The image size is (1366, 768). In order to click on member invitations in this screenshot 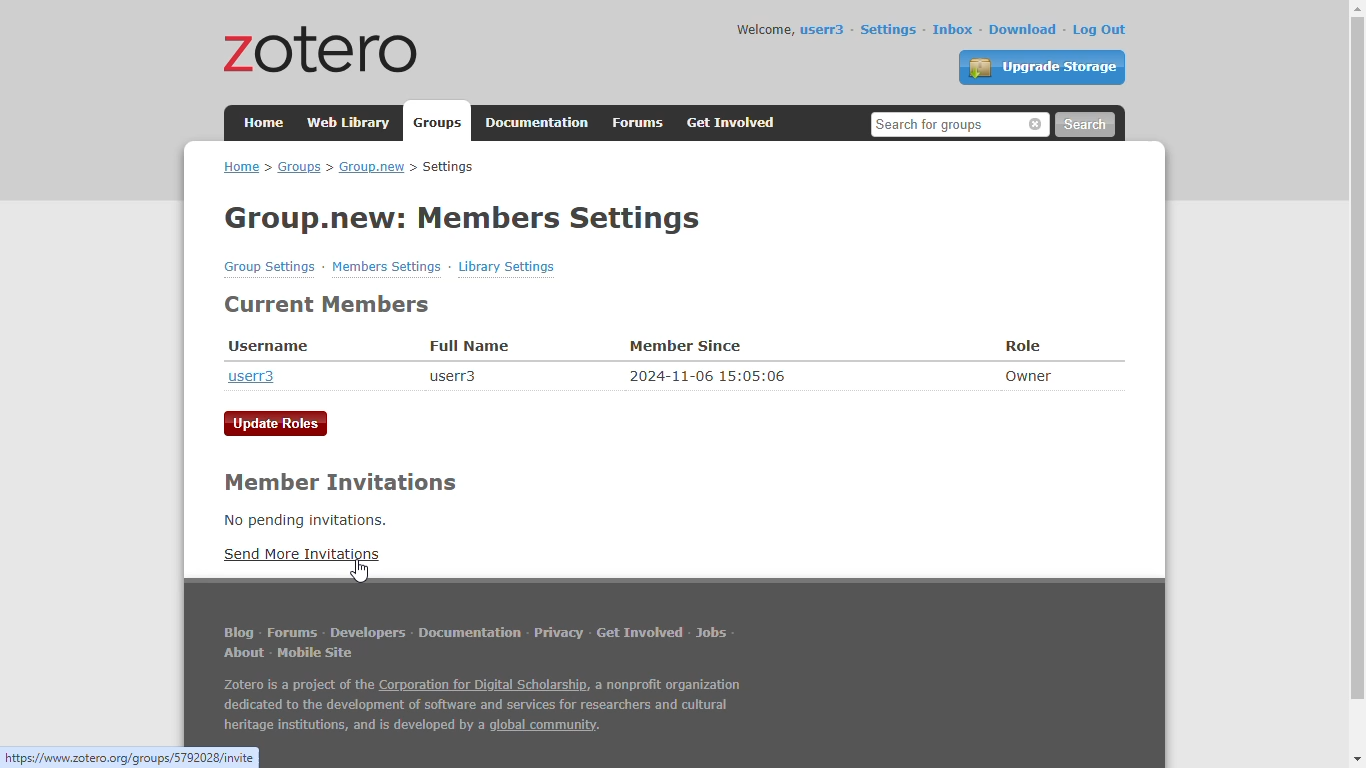, I will do `click(338, 483)`.